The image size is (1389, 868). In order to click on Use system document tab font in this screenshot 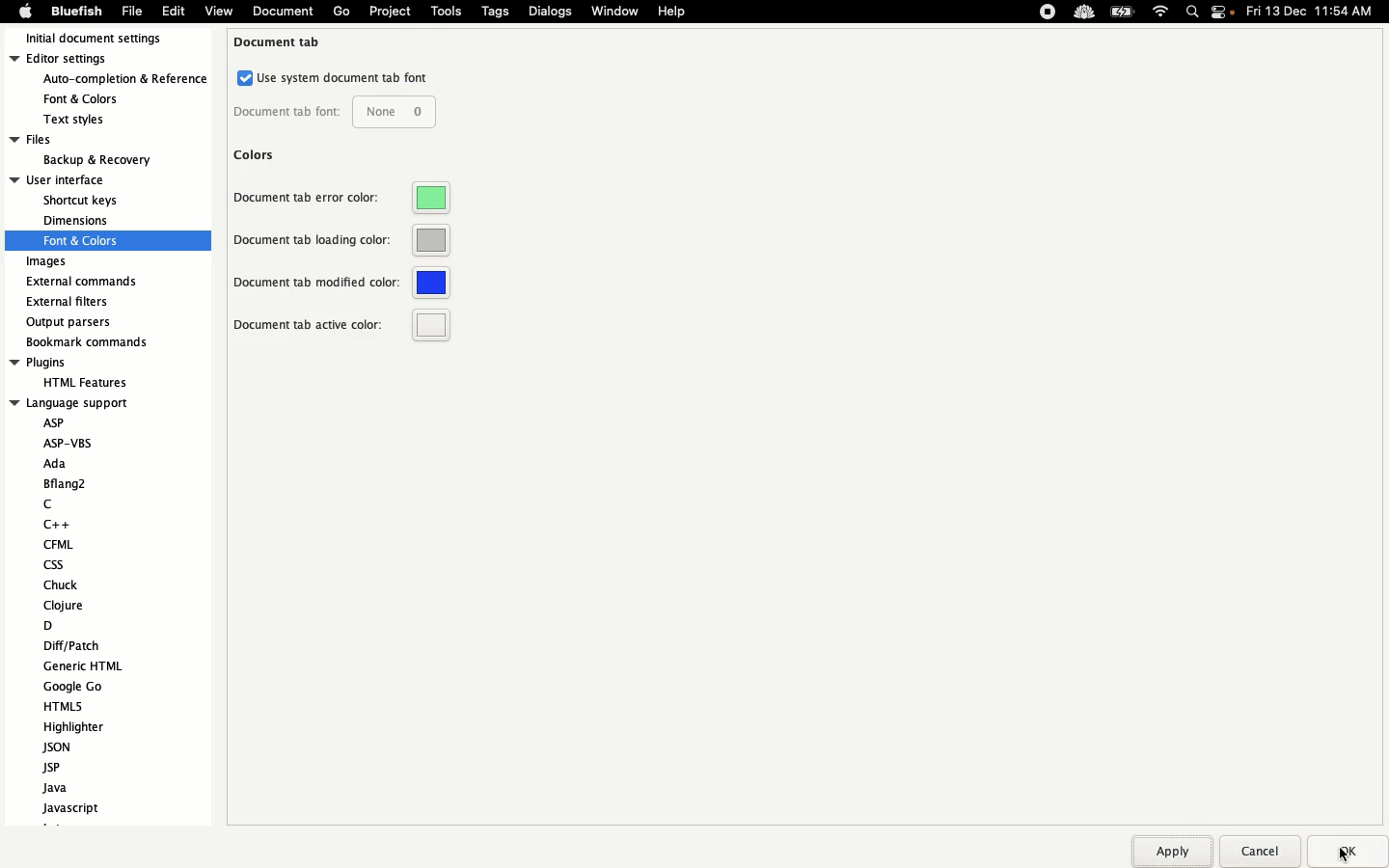, I will do `click(334, 78)`.